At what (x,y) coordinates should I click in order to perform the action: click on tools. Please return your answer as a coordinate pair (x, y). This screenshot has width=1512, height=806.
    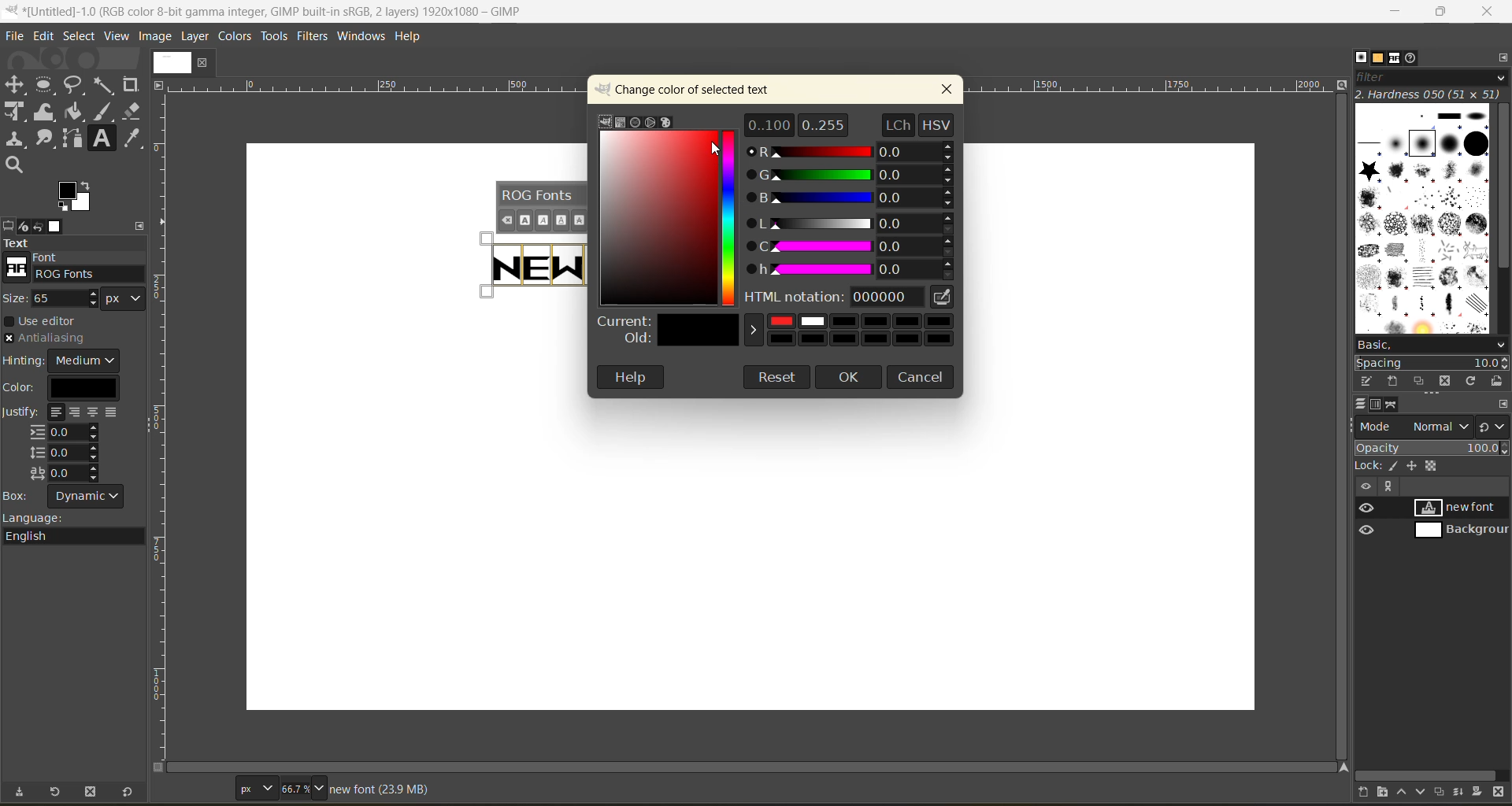
    Looking at the image, I should click on (274, 36).